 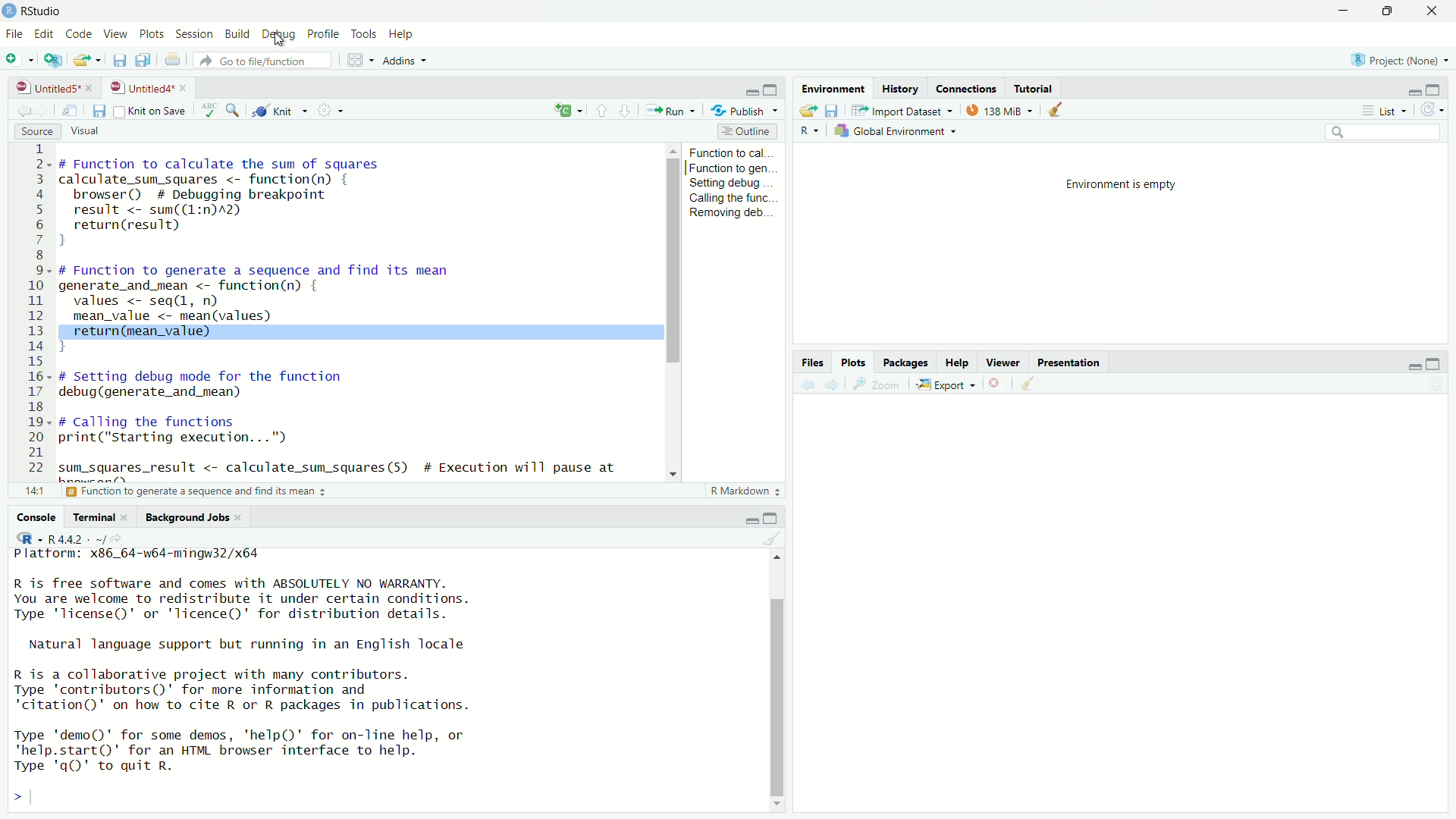 What do you see at coordinates (673, 110) in the screenshot?
I see `run the current line/selection` at bounding box center [673, 110].